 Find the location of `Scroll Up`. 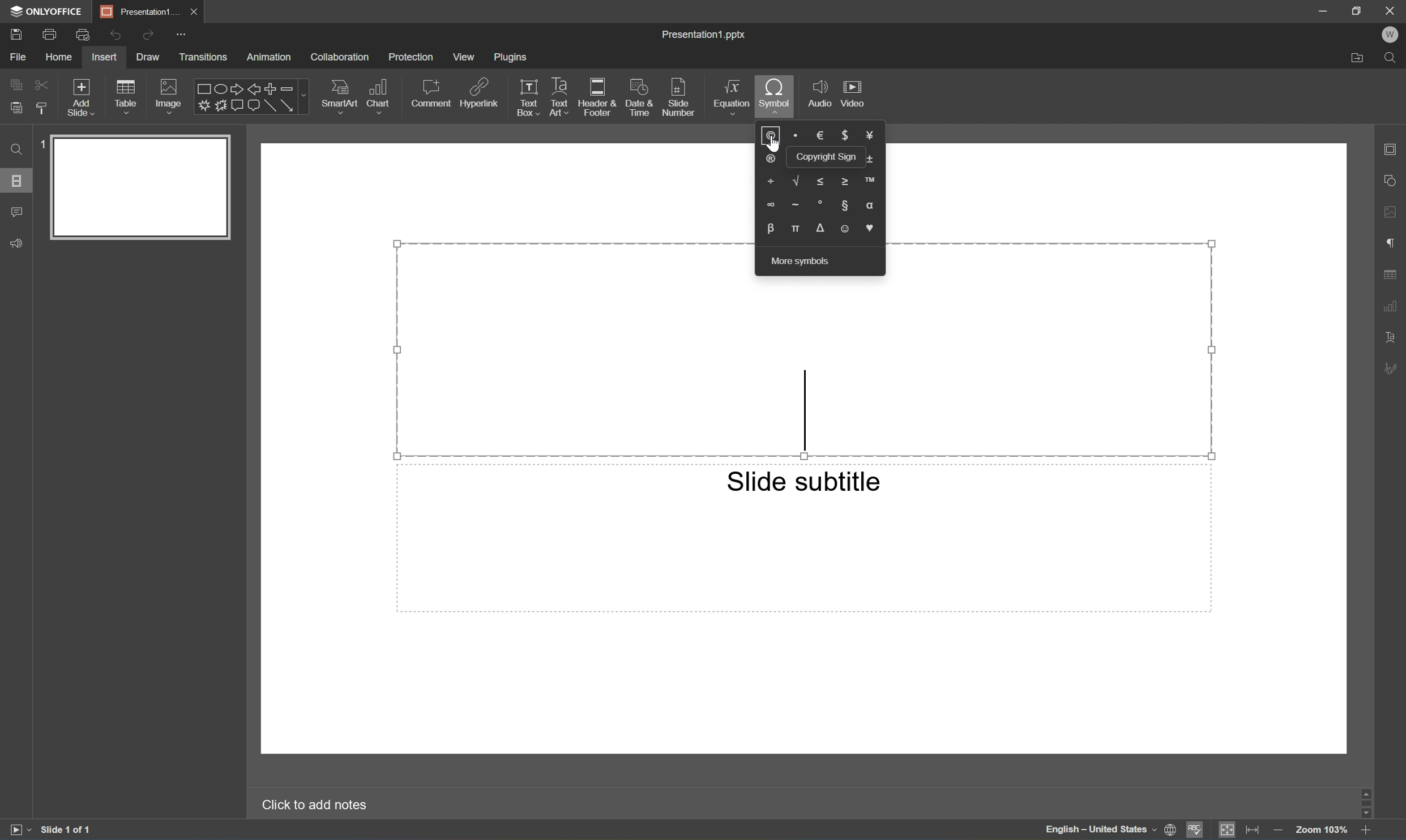

Scroll Up is located at coordinates (1363, 790).